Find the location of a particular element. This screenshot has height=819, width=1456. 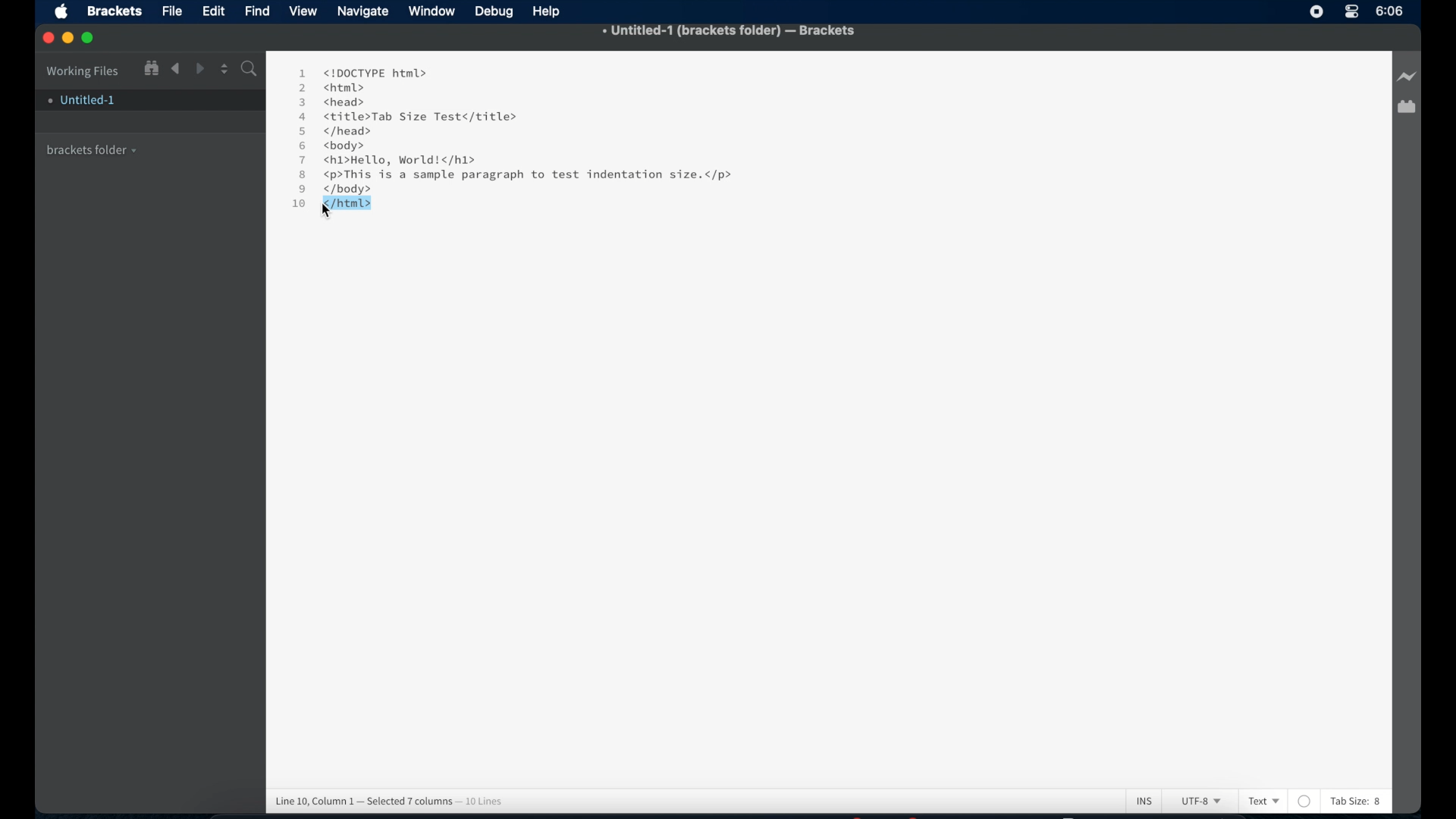

Navigate is located at coordinates (363, 13).